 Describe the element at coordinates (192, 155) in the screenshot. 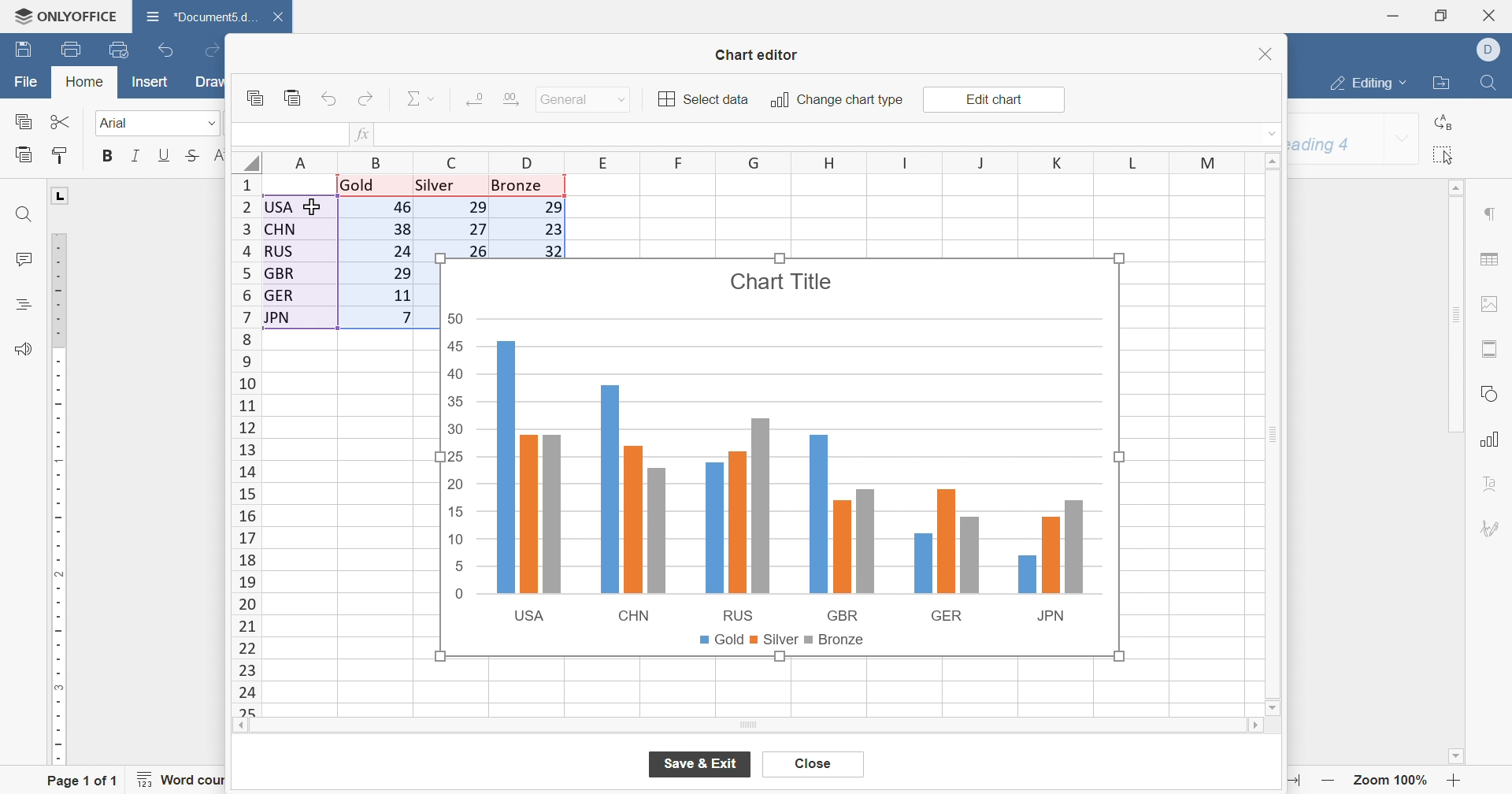

I see `strikethrough` at that location.